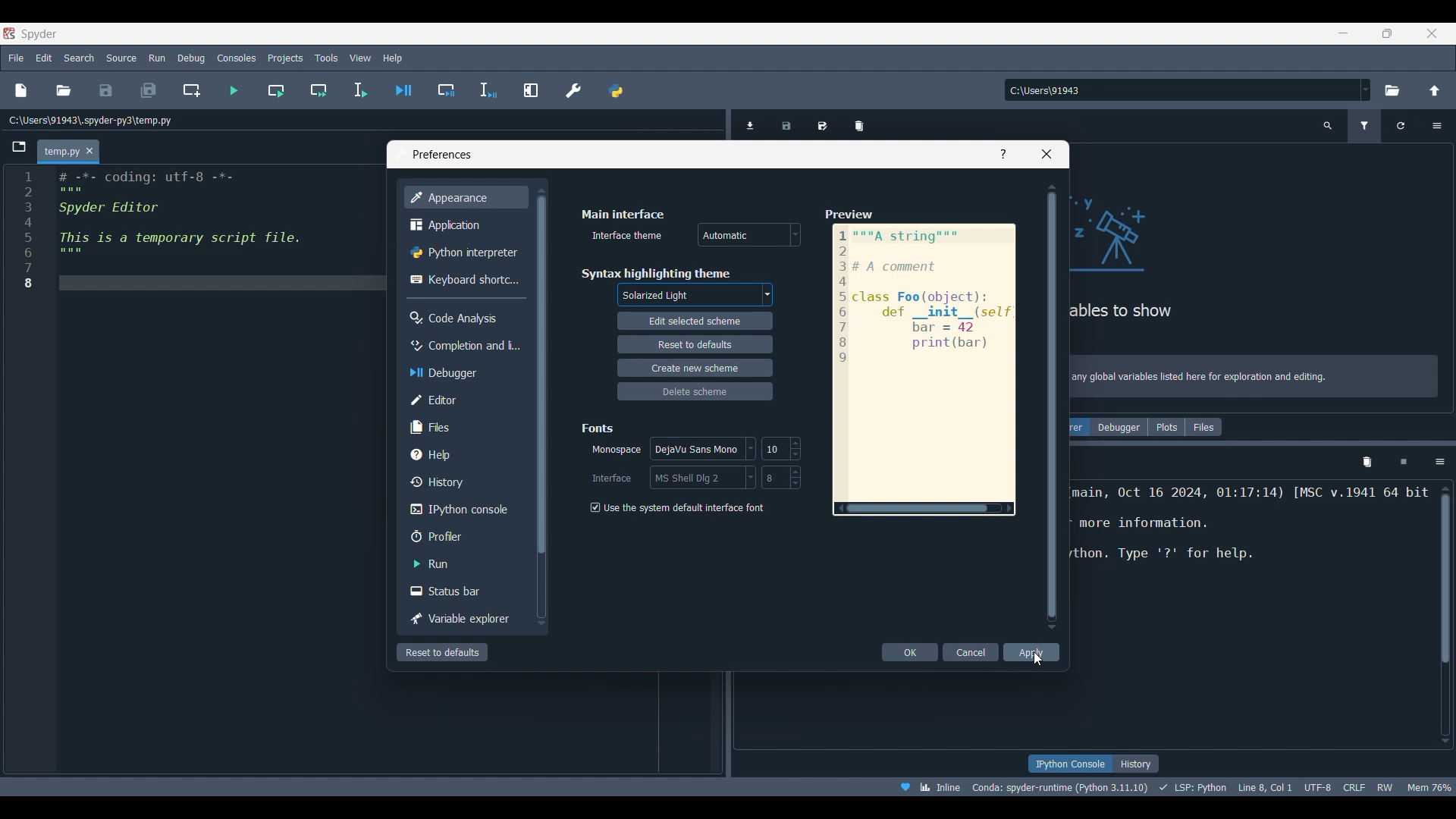 This screenshot has height=819, width=1456. I want to click on reset to defaults, so click(695, 344).